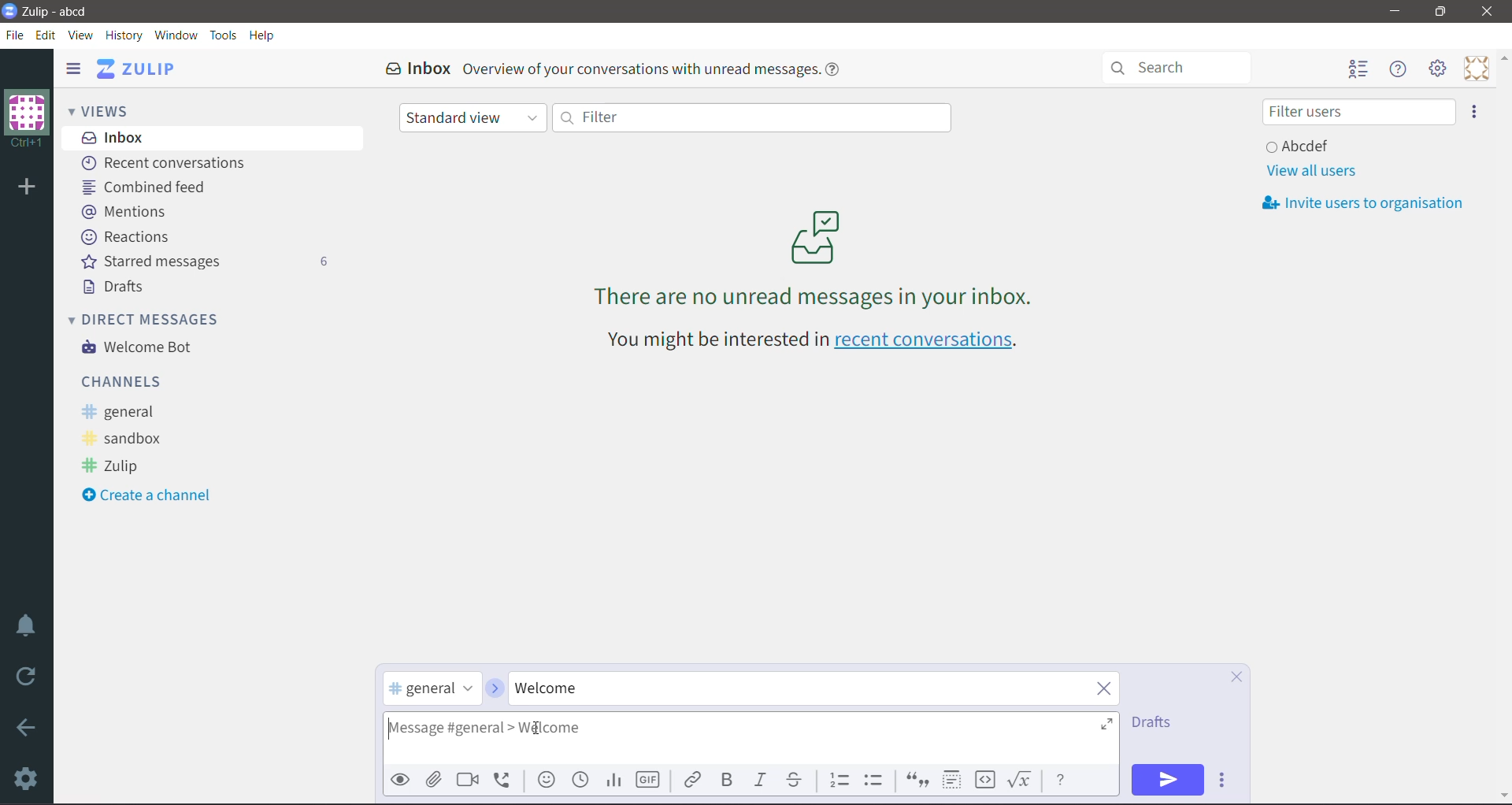  I want to click on Close, so click(1489, 12).